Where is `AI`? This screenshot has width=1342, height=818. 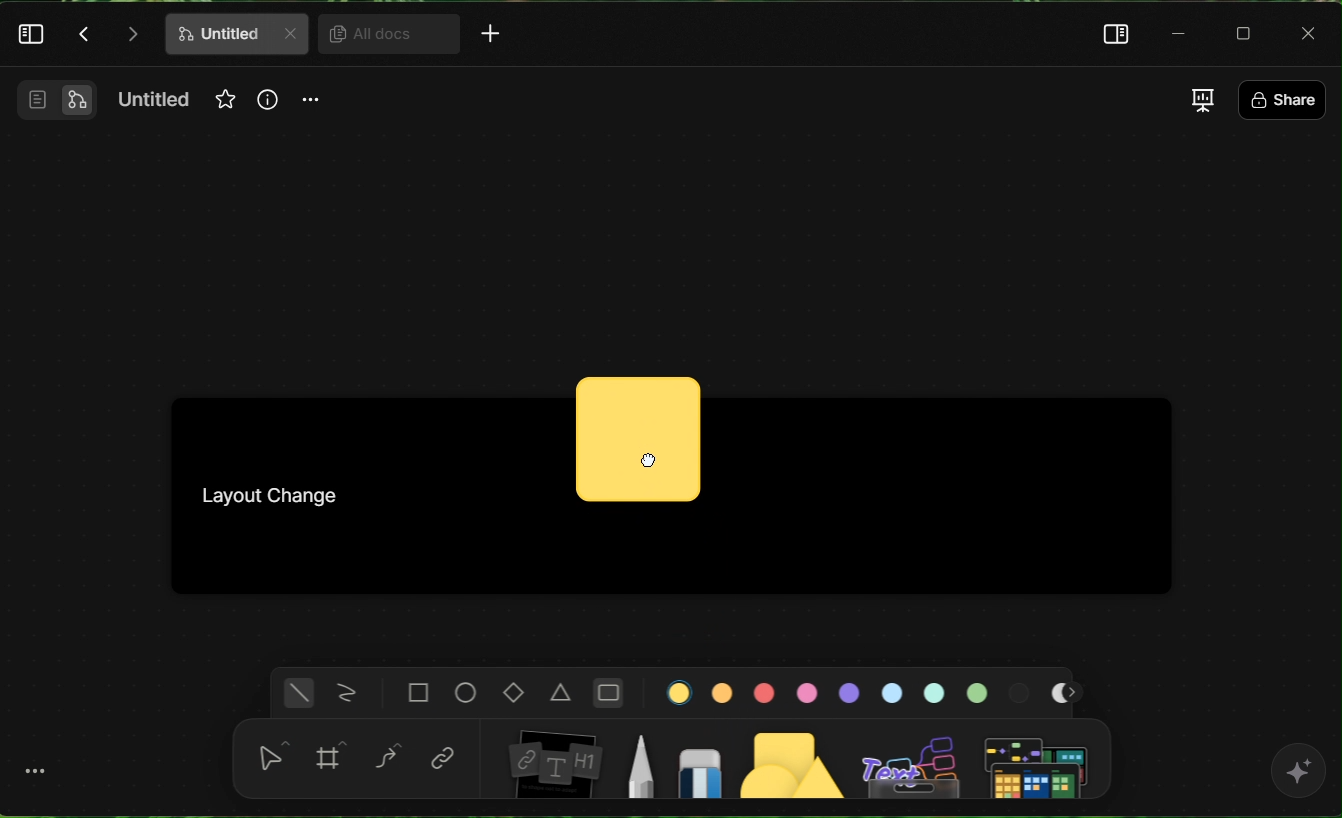
AI is located at coordinates (1300, 781).